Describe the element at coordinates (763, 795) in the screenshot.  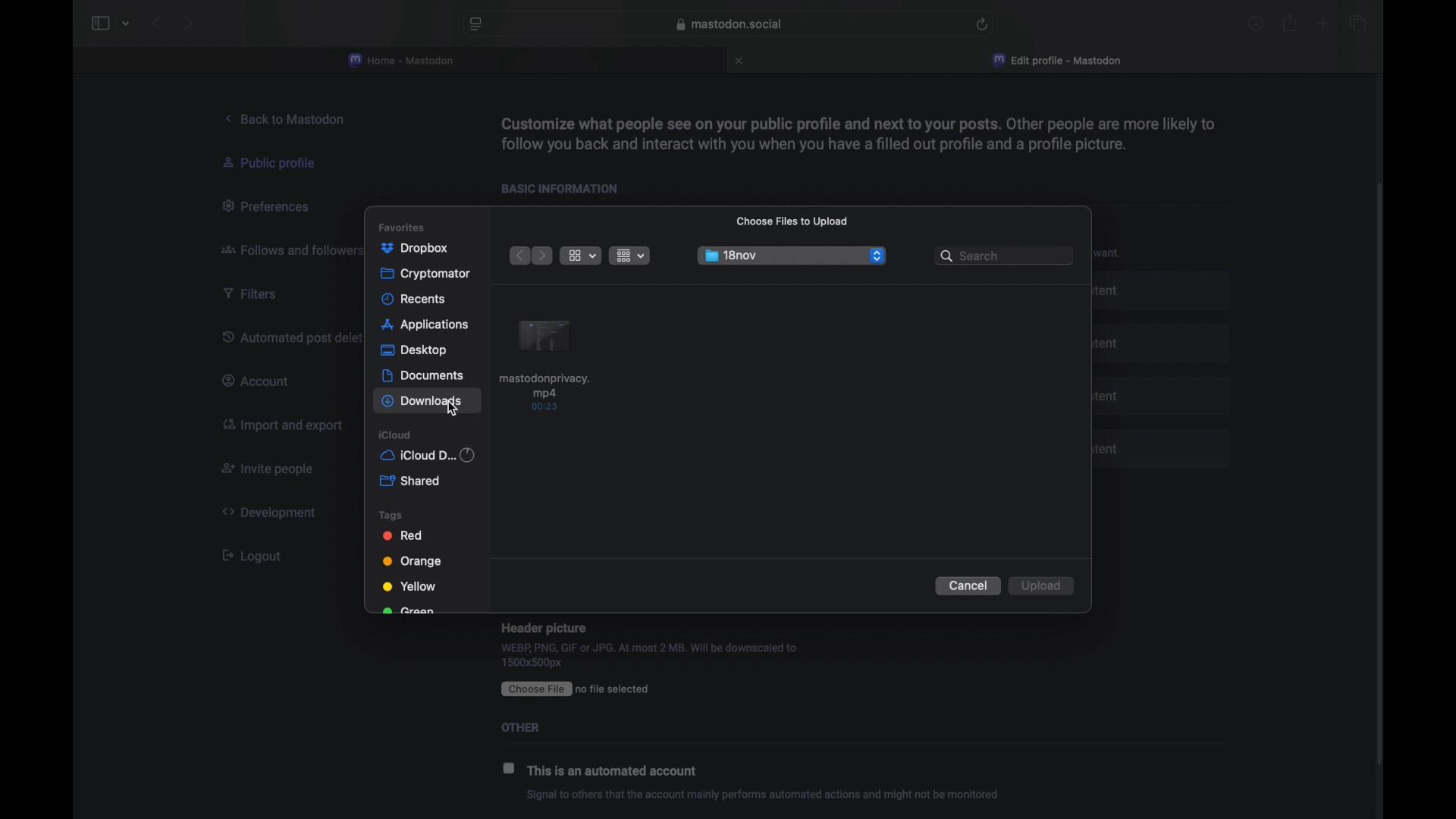
I see `info` at that location.